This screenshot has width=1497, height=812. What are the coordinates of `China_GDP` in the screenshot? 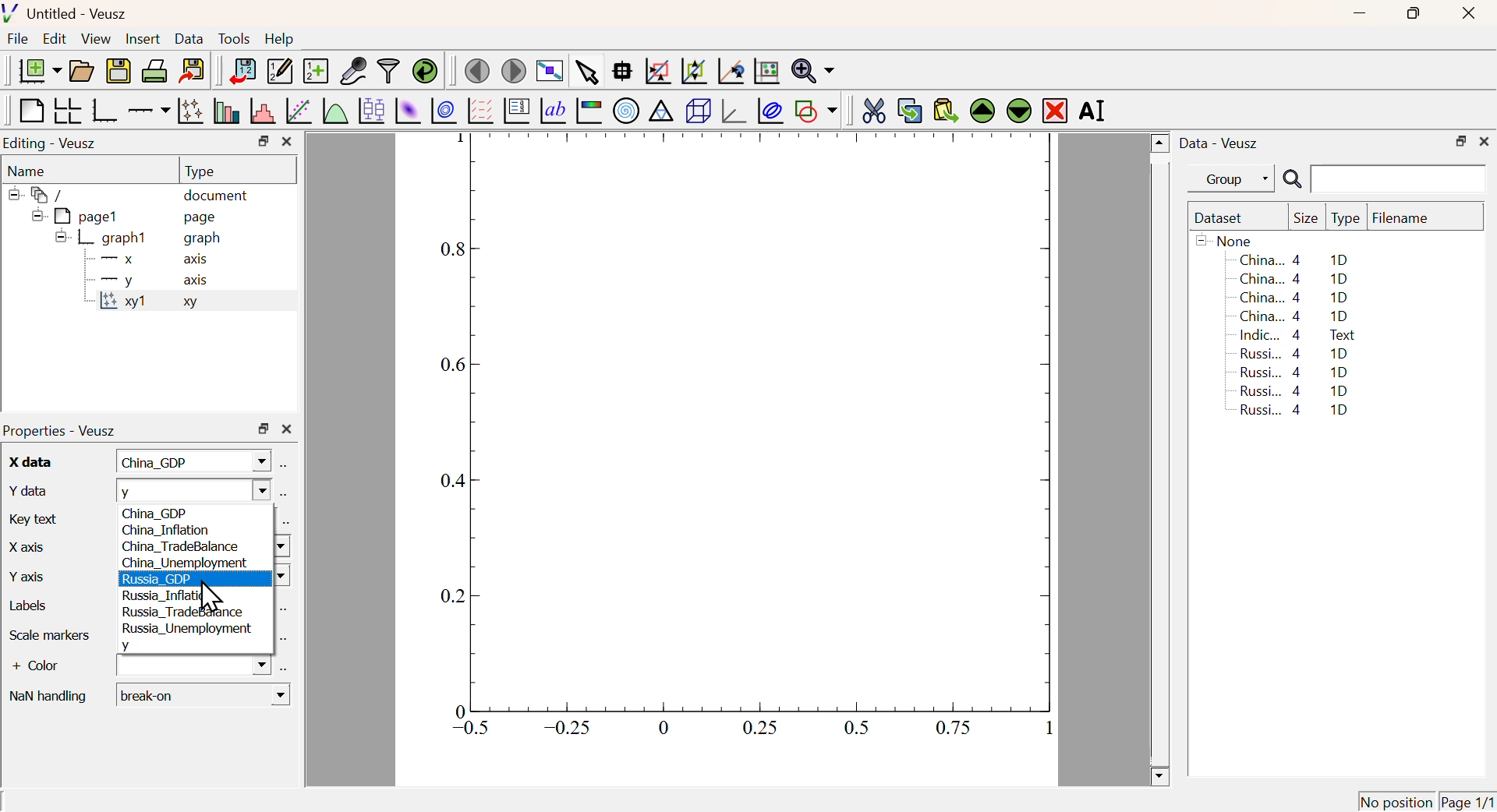 It's located at (190, 461).